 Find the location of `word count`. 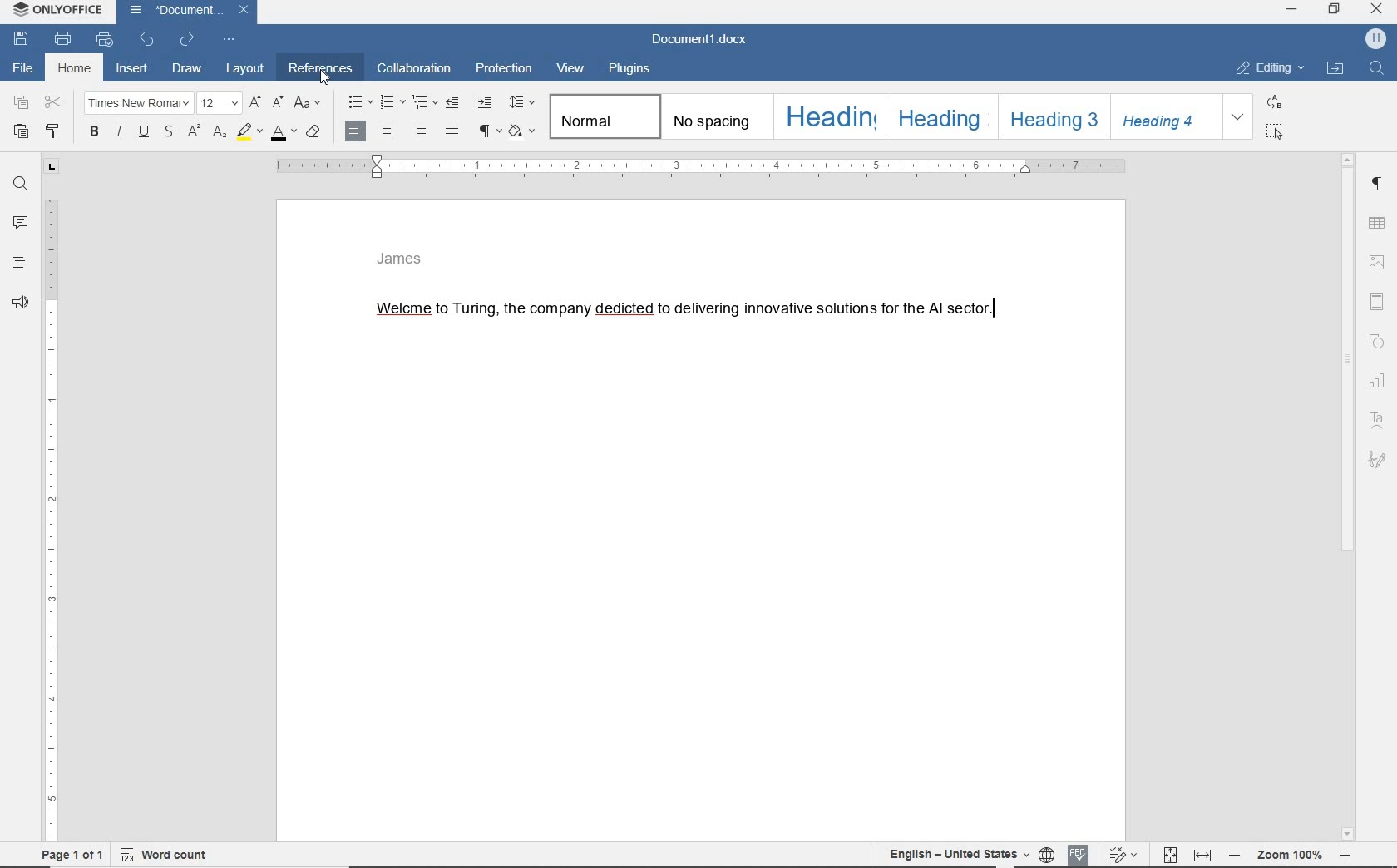

word count is located at coordinates (166, 857).